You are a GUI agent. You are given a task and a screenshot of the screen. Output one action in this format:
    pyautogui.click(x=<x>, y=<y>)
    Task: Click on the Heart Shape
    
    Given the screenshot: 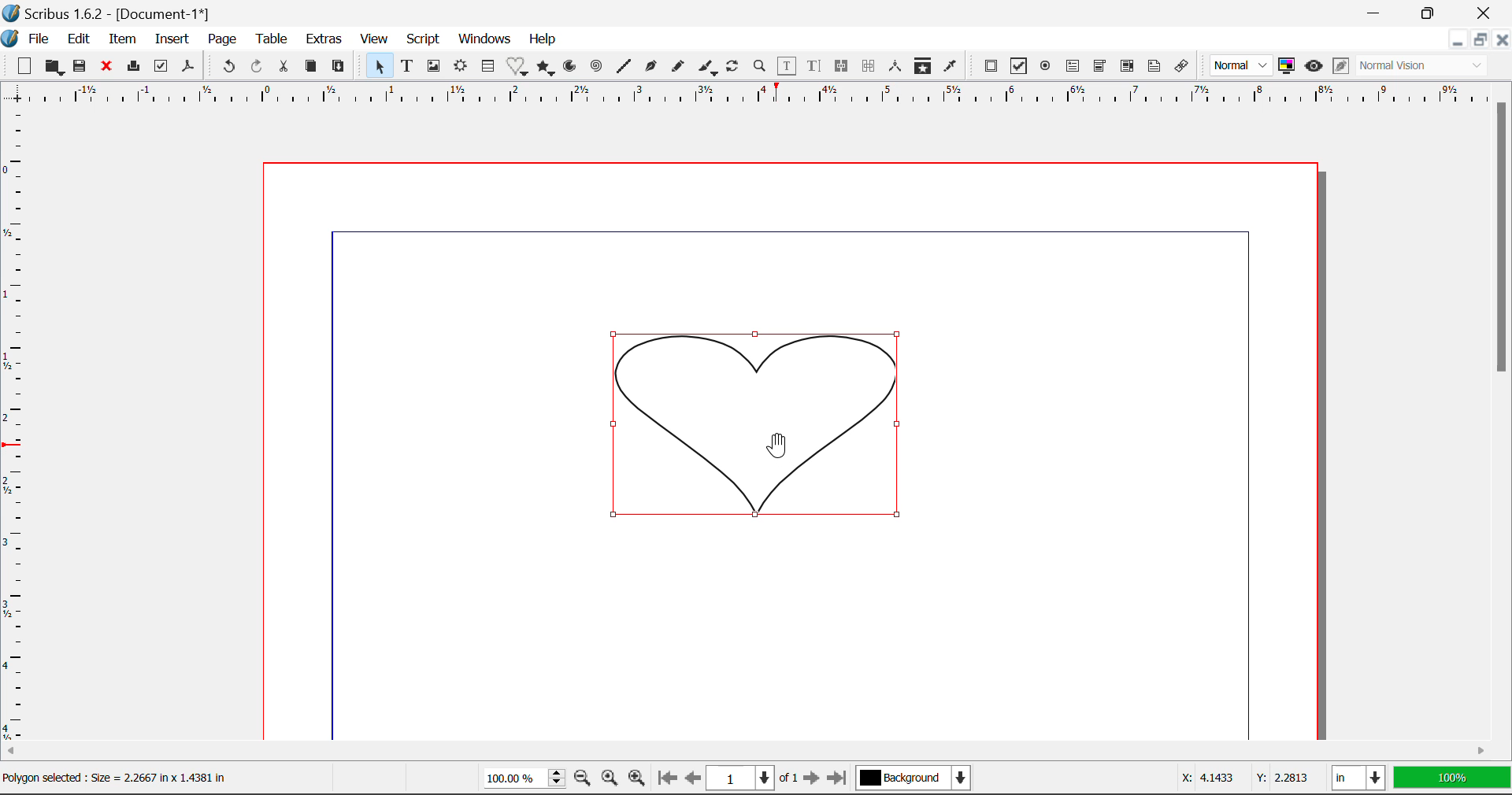 What is the action you would take?
    pyautogui.click(x=753, y=425)
    